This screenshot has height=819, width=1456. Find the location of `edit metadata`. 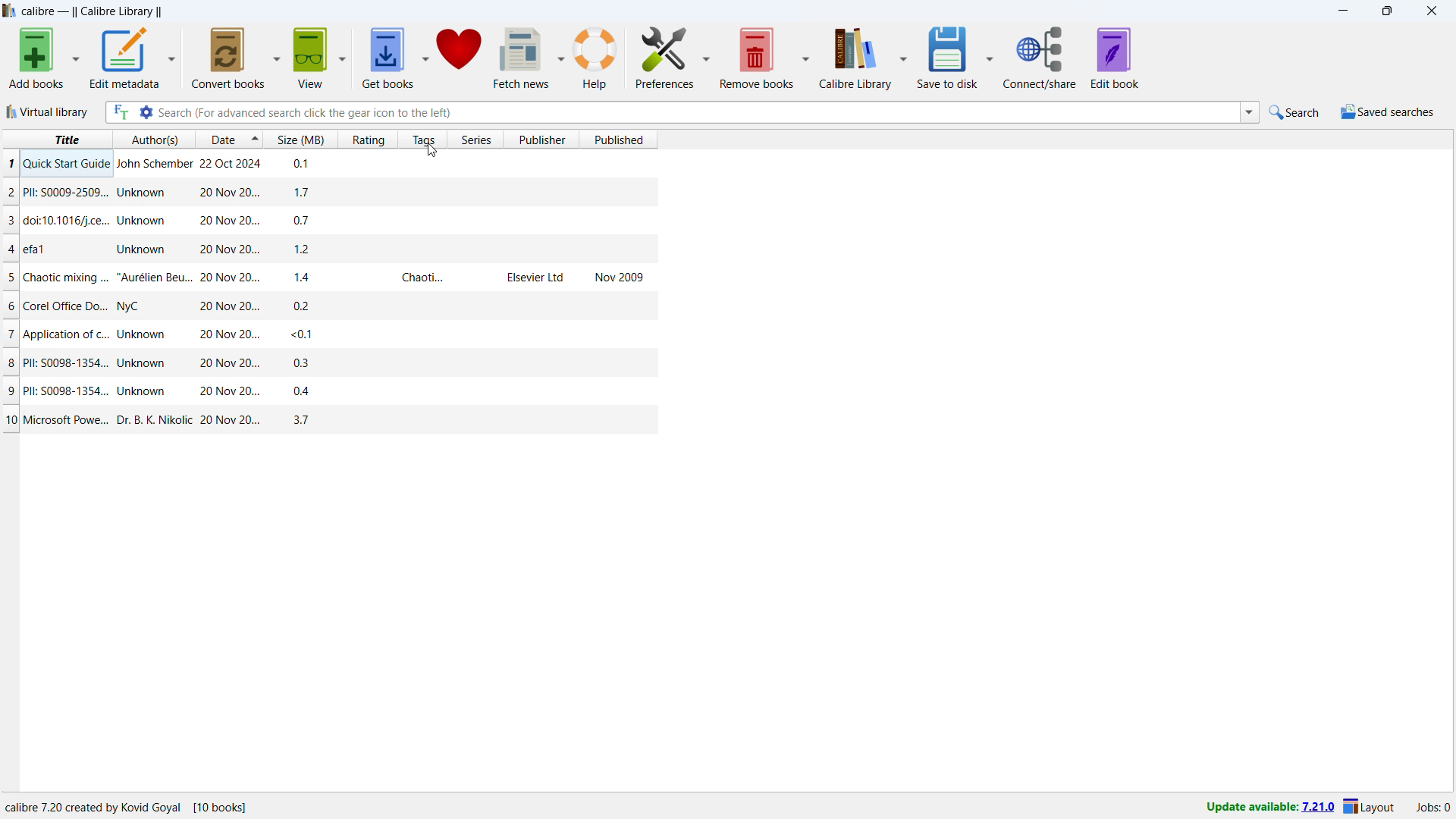

edit metadata is located at coordinates (123, 58).